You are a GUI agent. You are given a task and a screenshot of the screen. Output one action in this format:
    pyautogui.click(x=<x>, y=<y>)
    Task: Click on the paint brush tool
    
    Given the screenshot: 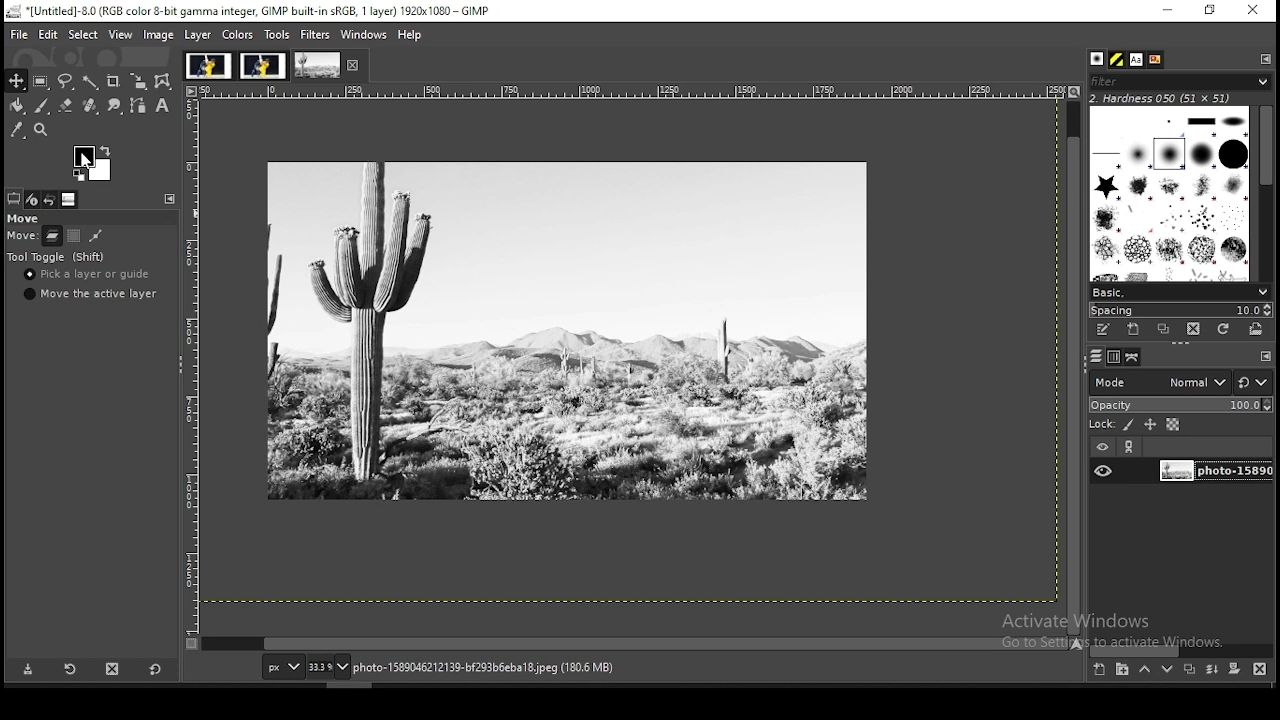 What is the action you would take?
    pyautogui.click(x=43, y=106)
    